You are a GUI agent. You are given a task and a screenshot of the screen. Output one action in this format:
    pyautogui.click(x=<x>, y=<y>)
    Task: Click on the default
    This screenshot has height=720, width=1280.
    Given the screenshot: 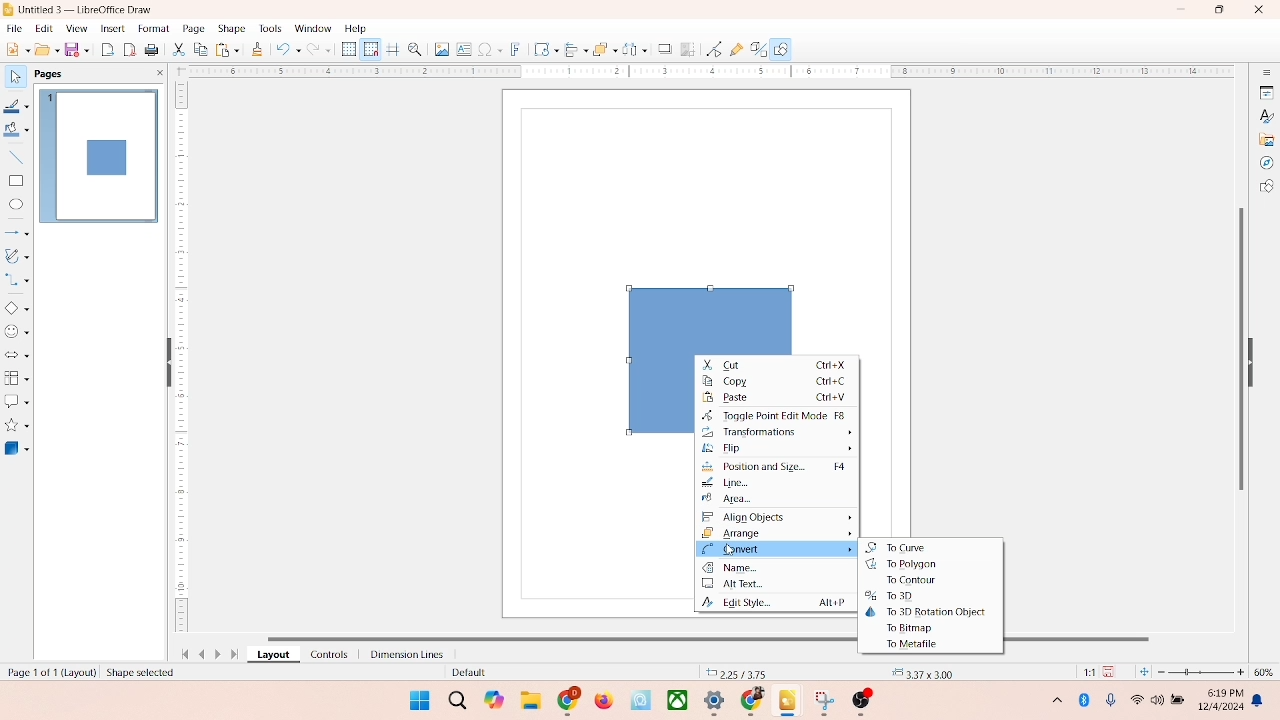 What is the action you would take?
    pyautogui.click(x=465, y=673)
    